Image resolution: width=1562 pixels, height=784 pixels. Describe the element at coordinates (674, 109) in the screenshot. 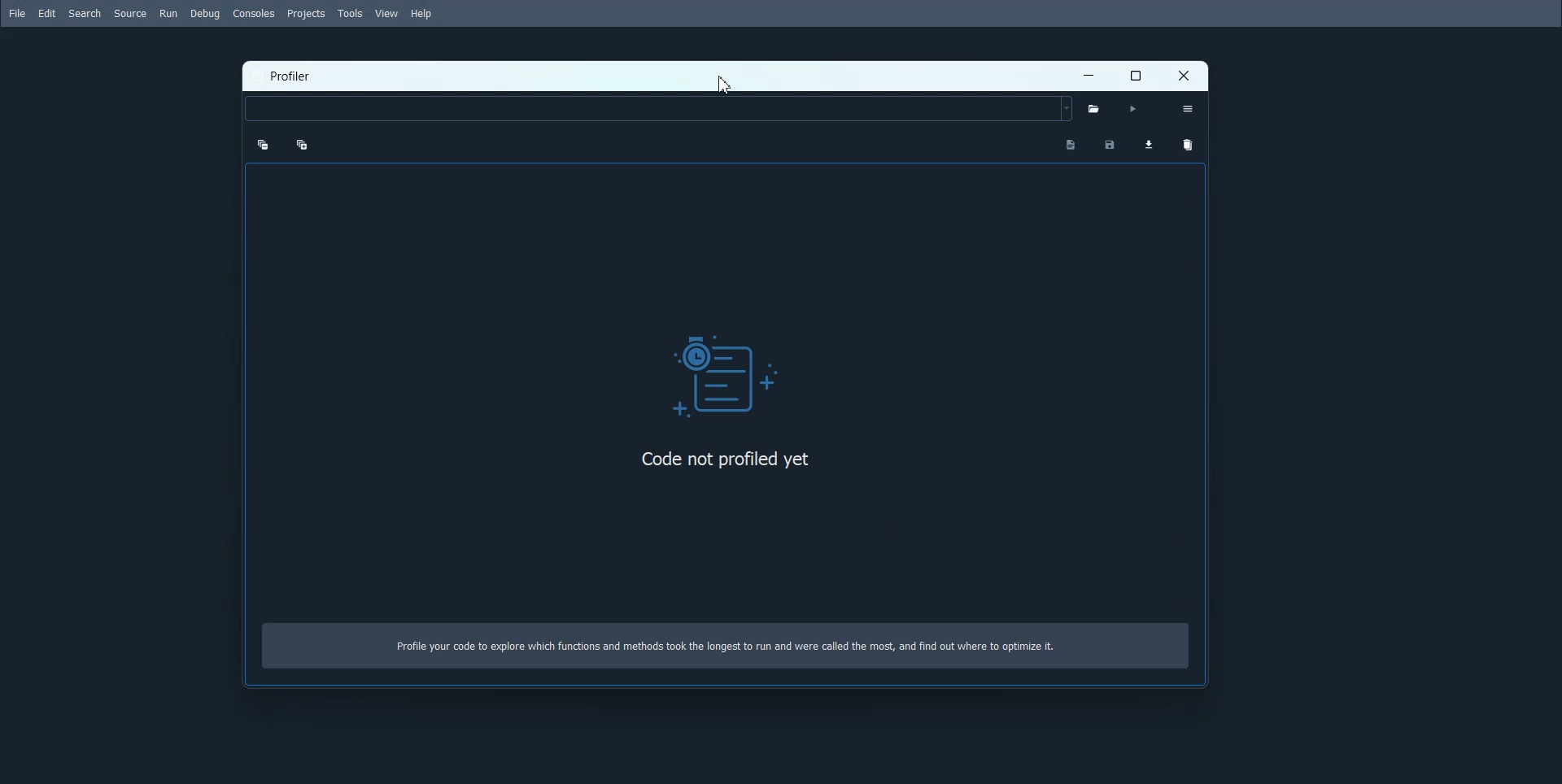

I see `Select python level` at that location.